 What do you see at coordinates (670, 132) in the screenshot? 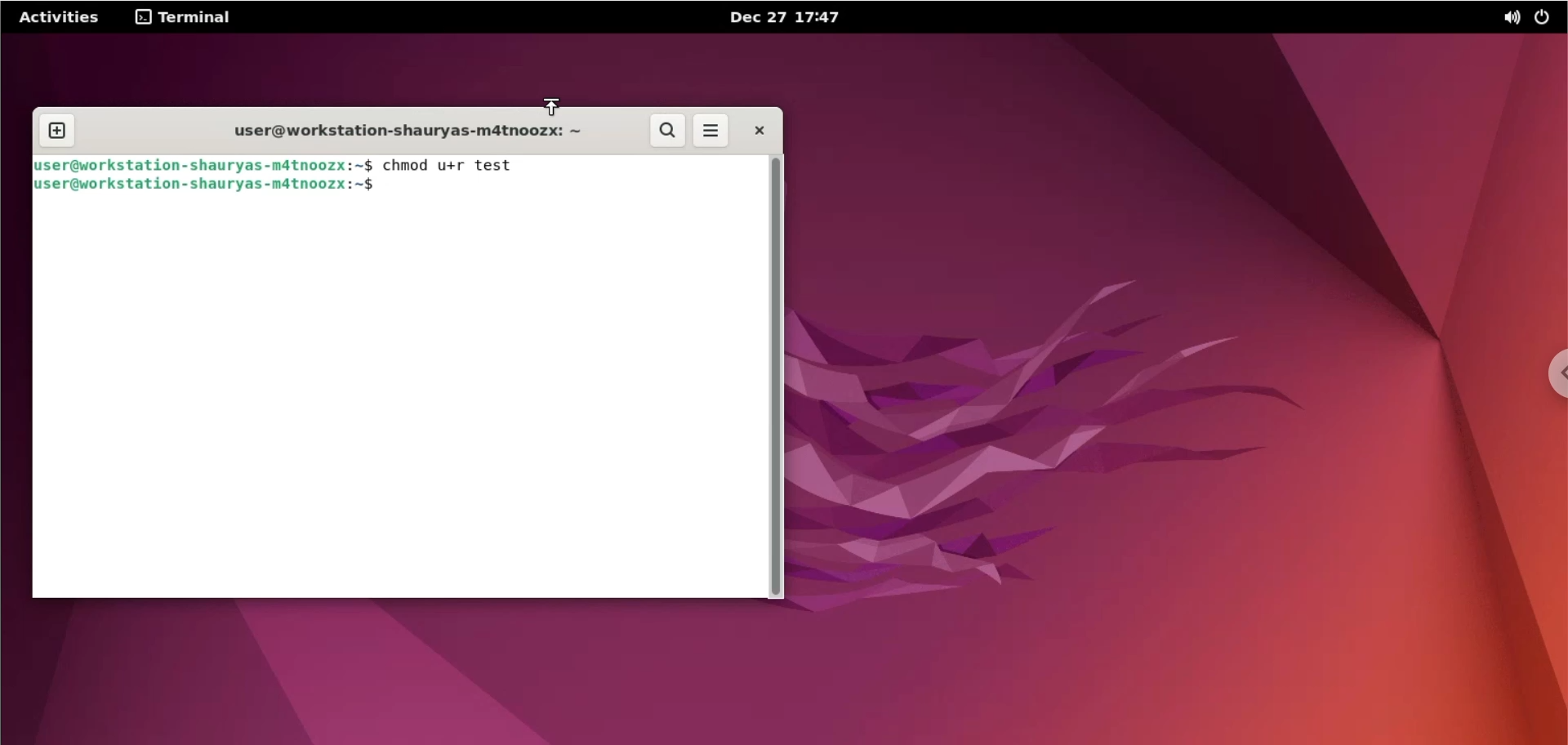
I see `search button` at bounding box center [670, 132].